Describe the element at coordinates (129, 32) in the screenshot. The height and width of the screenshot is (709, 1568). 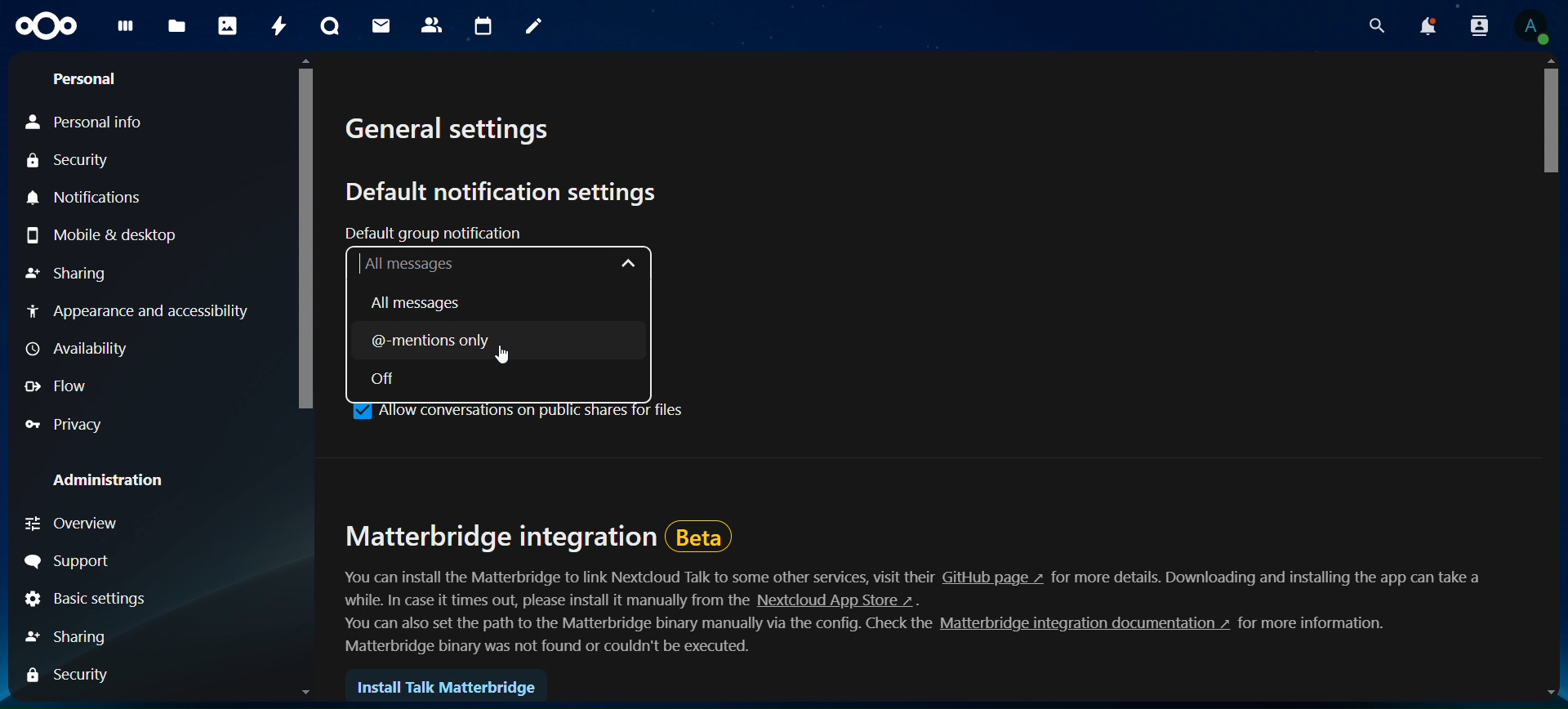
I see `files` at that location.